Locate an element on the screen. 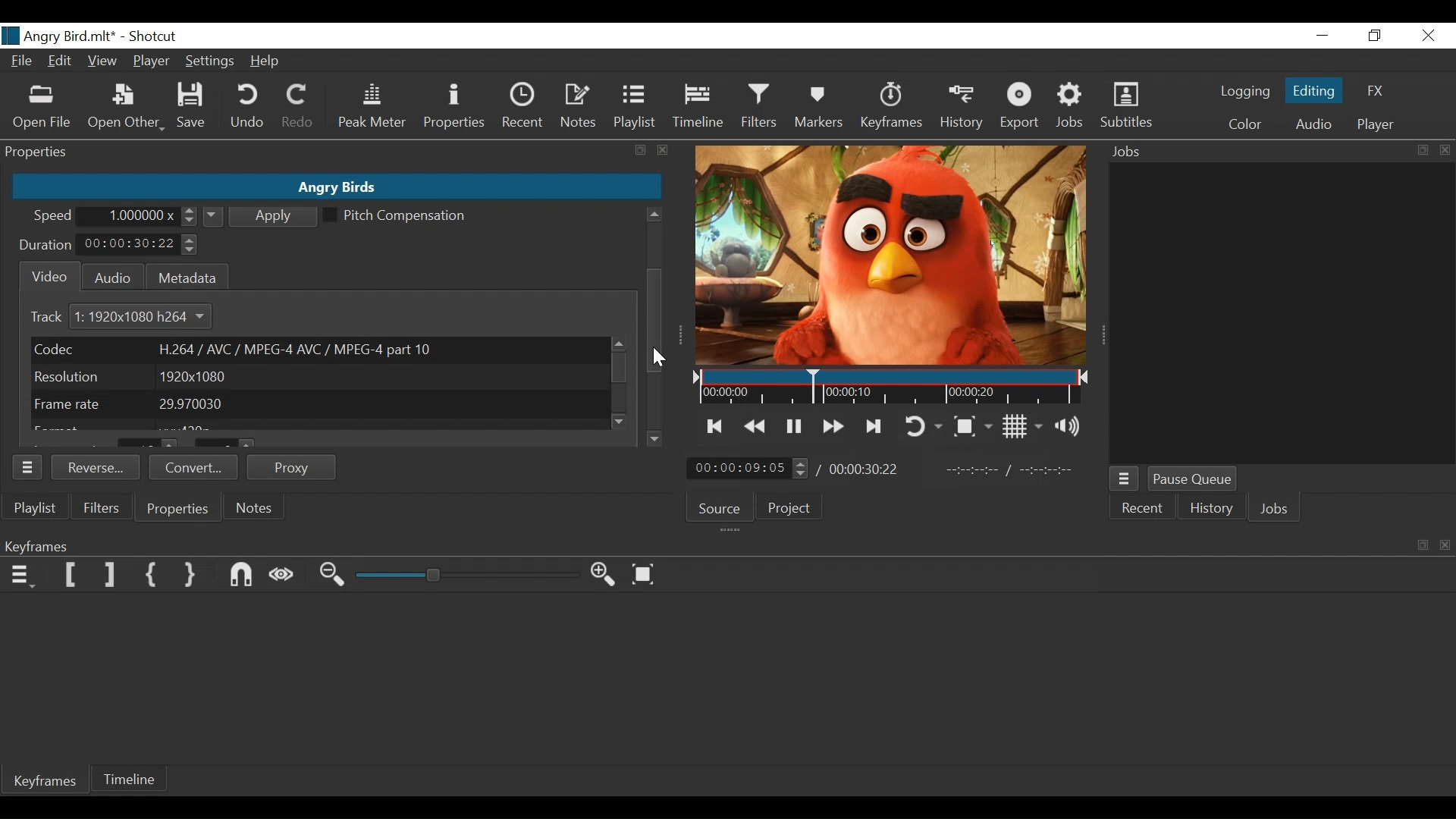  Open Other is located at coordinates (125, 108).